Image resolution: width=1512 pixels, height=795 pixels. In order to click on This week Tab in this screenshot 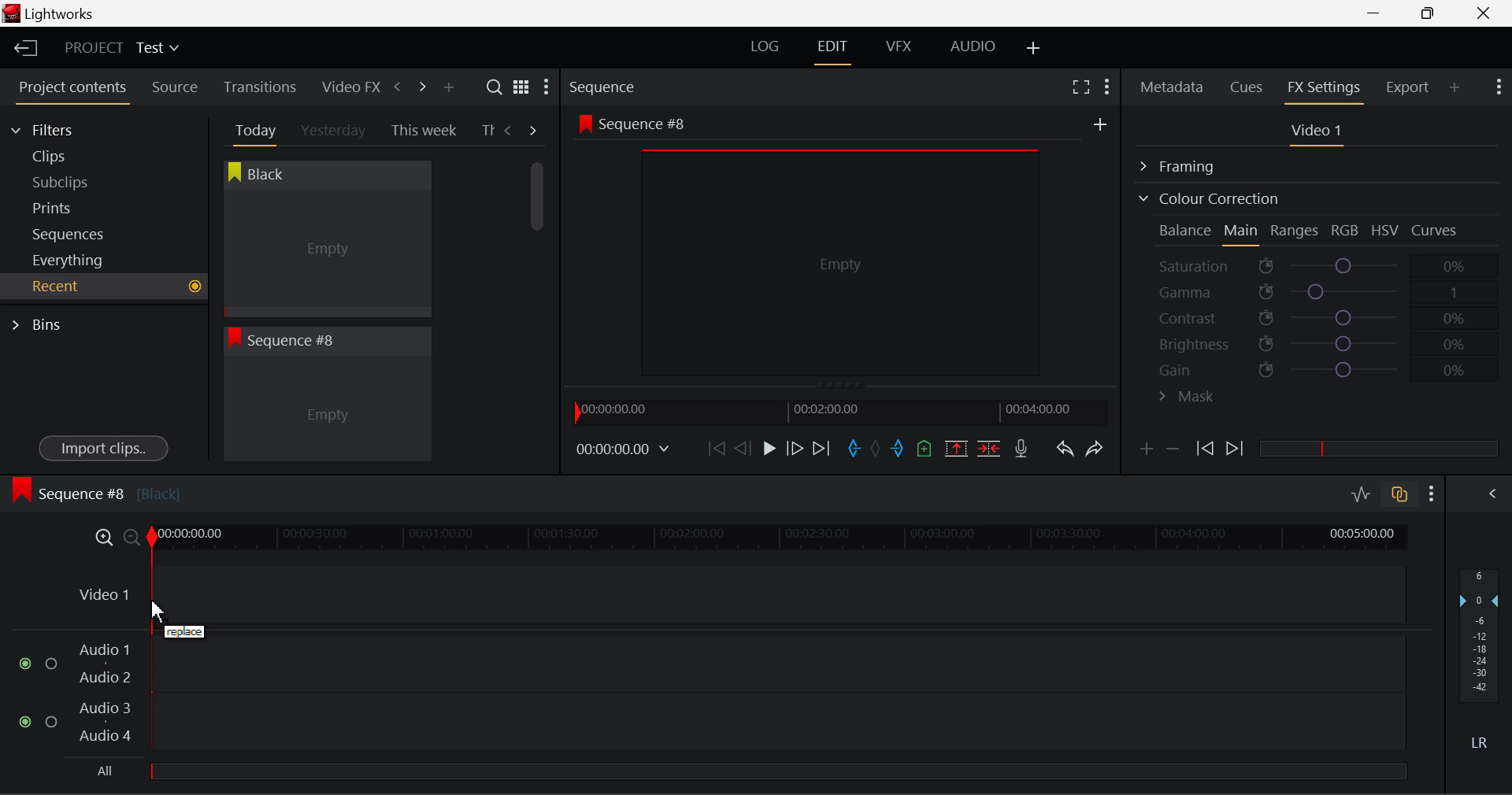, I will do `click(422, 131)`.